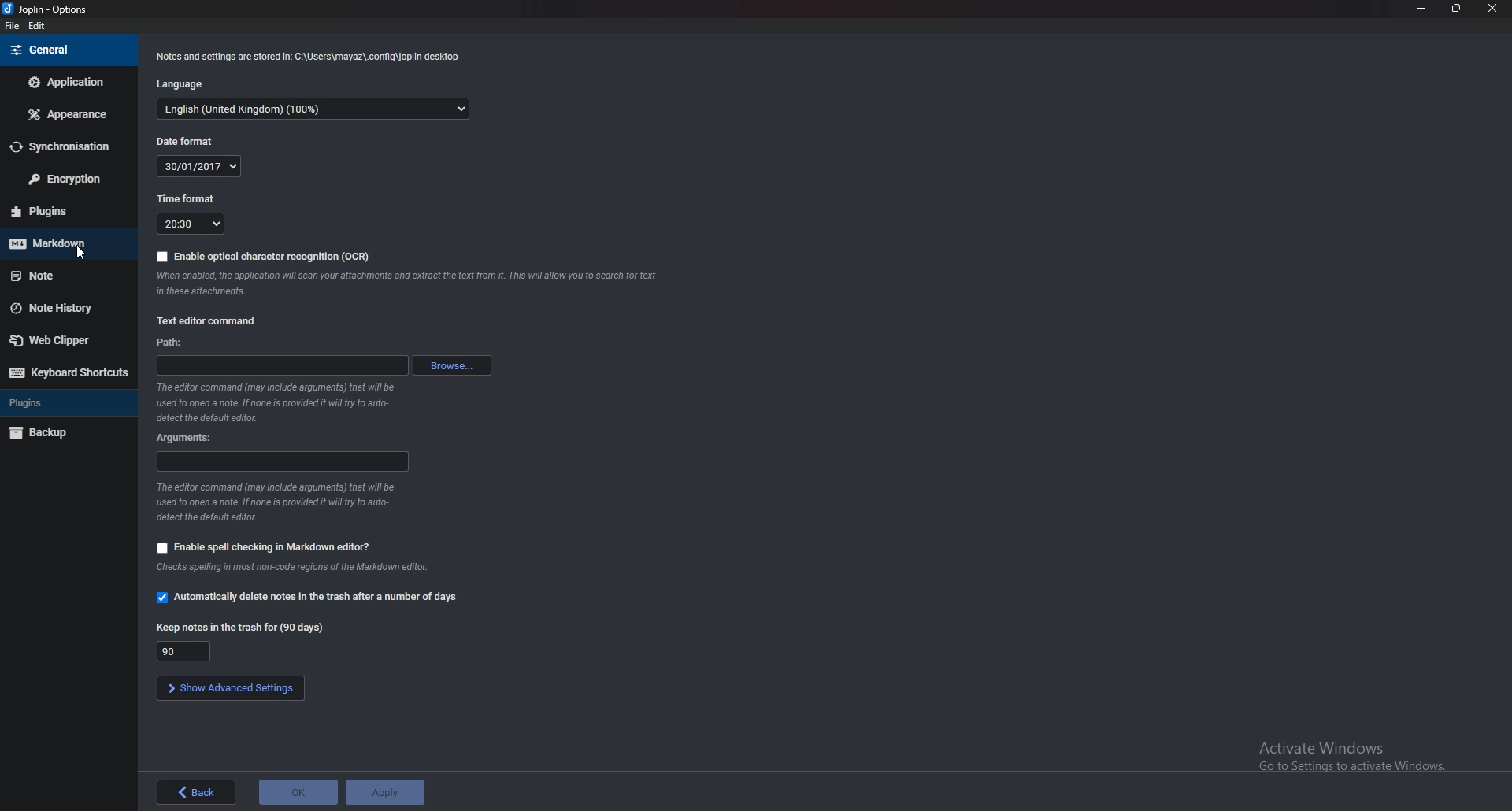 This screenshot has width=1512, height=811. What do you see at coordinates (273, 402) in the screenshot?
I see `Info` at bounding box center [273, 402].